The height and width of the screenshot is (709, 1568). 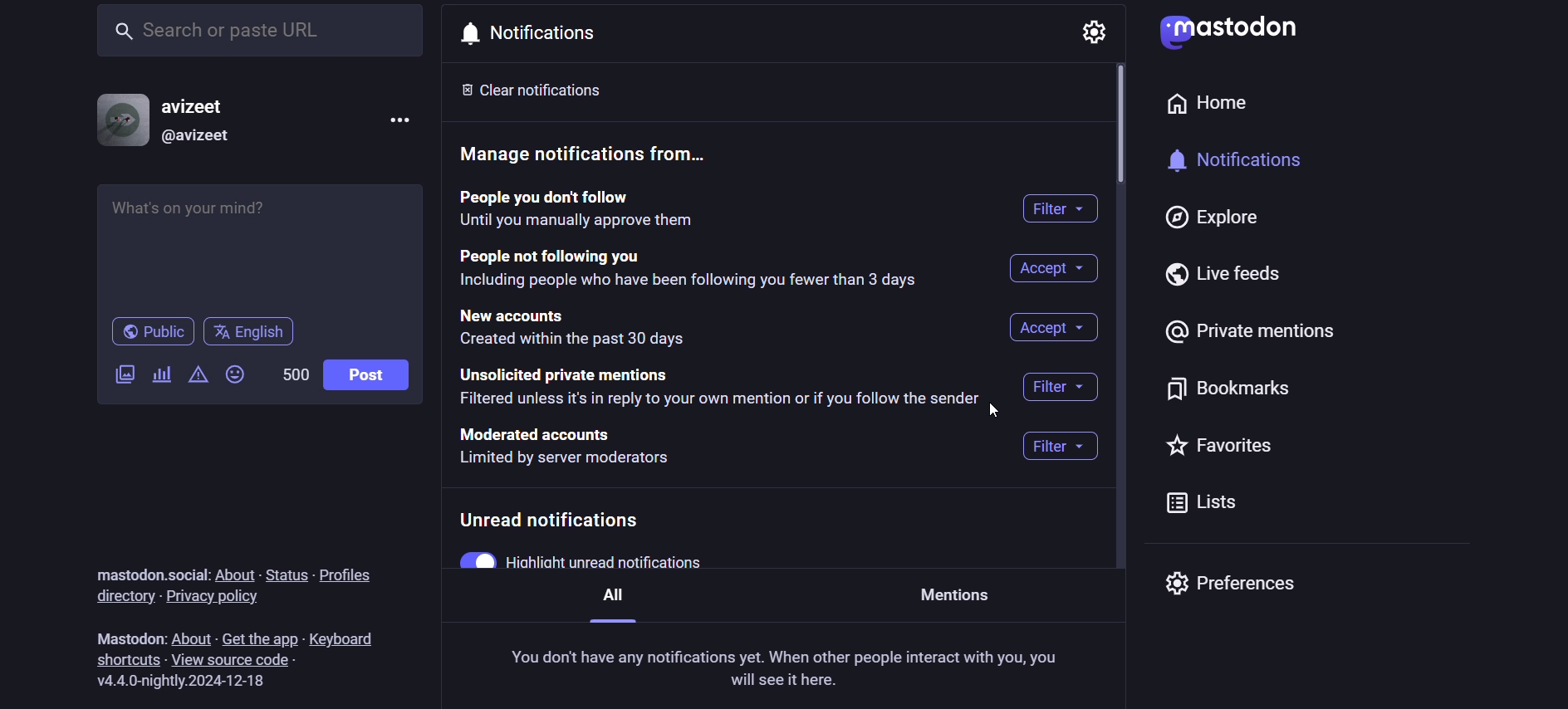 What do you see at coordinates (192, 636) in the screenshot?
I see `About` at bounding box center [192, 636].